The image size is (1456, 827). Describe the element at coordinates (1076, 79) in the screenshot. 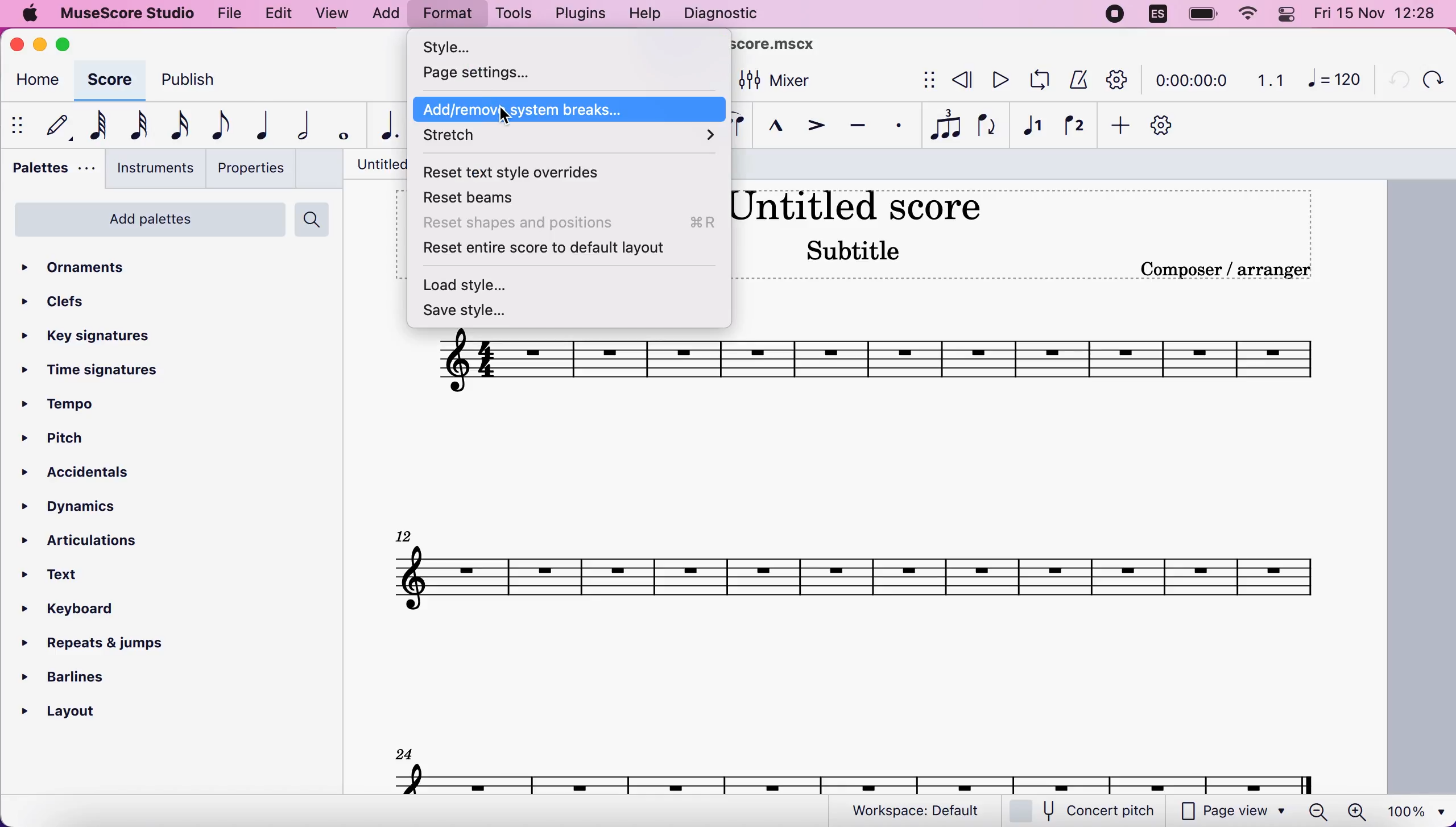

I see `metronome` at that location.